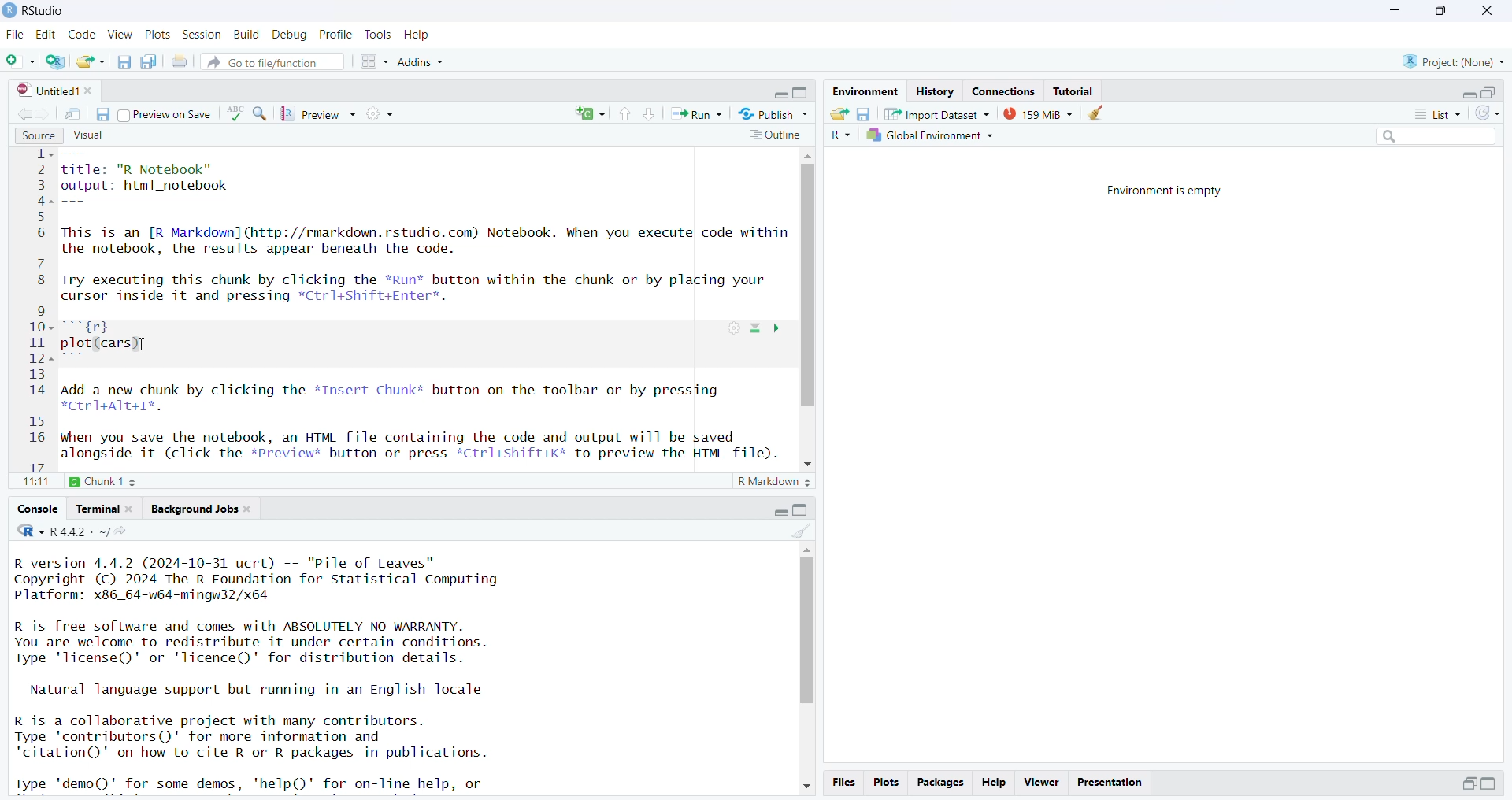  I want to click on save all open documents, so click(150, 61).